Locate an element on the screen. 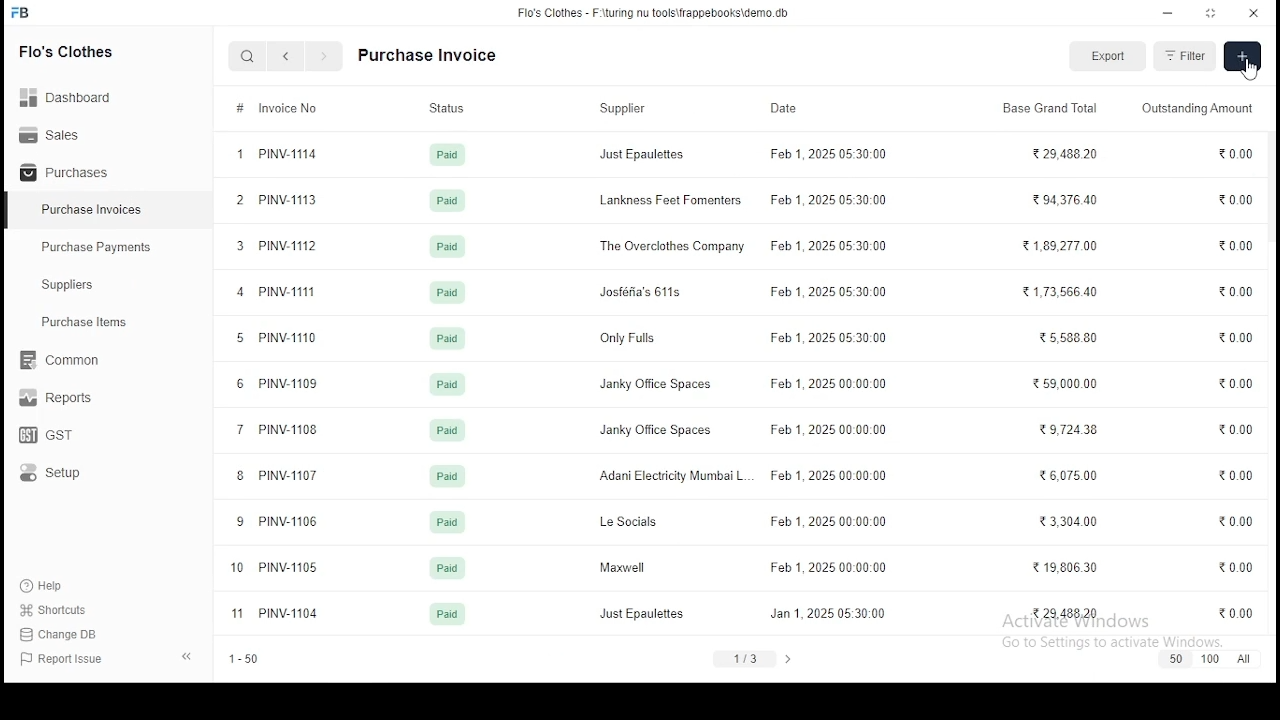 This screenshot has width=1280, height=720. close window is located at coordinates (1254, 11).